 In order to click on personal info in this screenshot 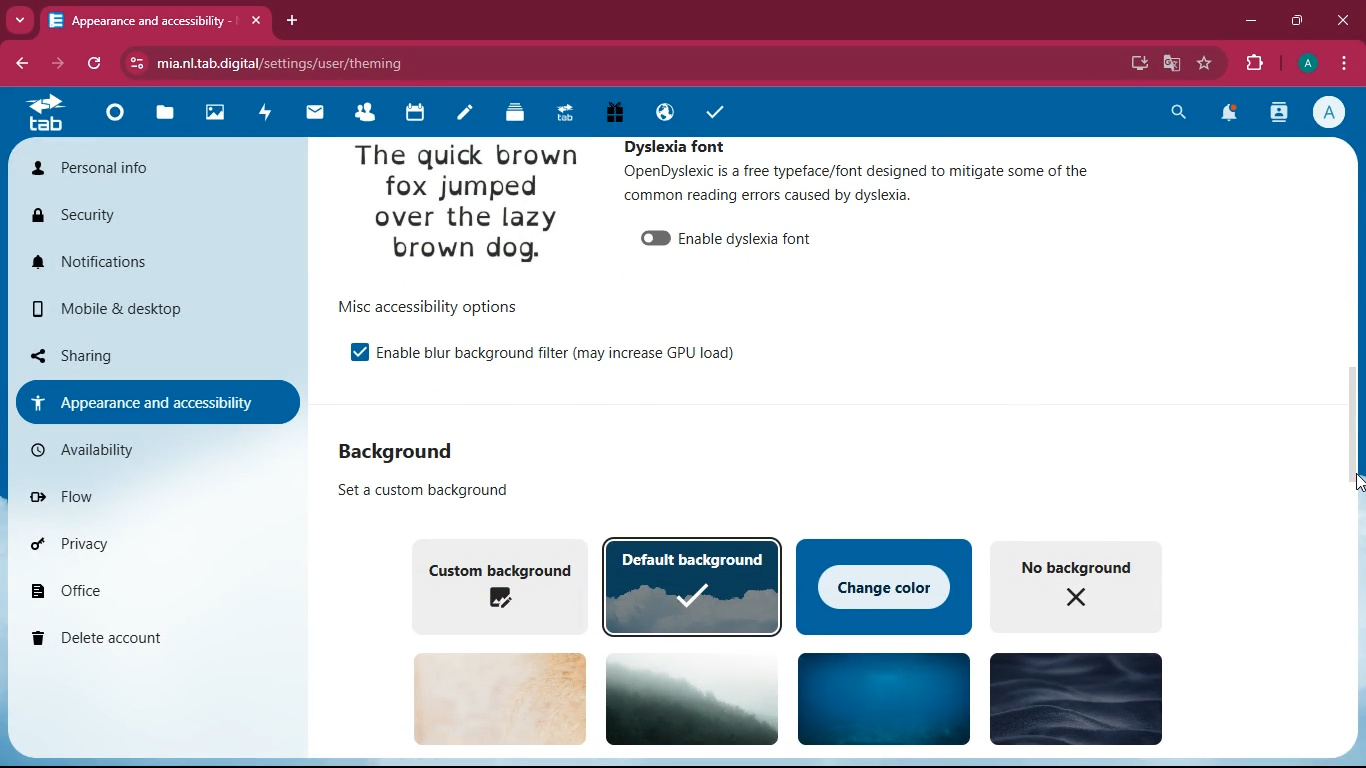, I will do `click(128, 168)`.